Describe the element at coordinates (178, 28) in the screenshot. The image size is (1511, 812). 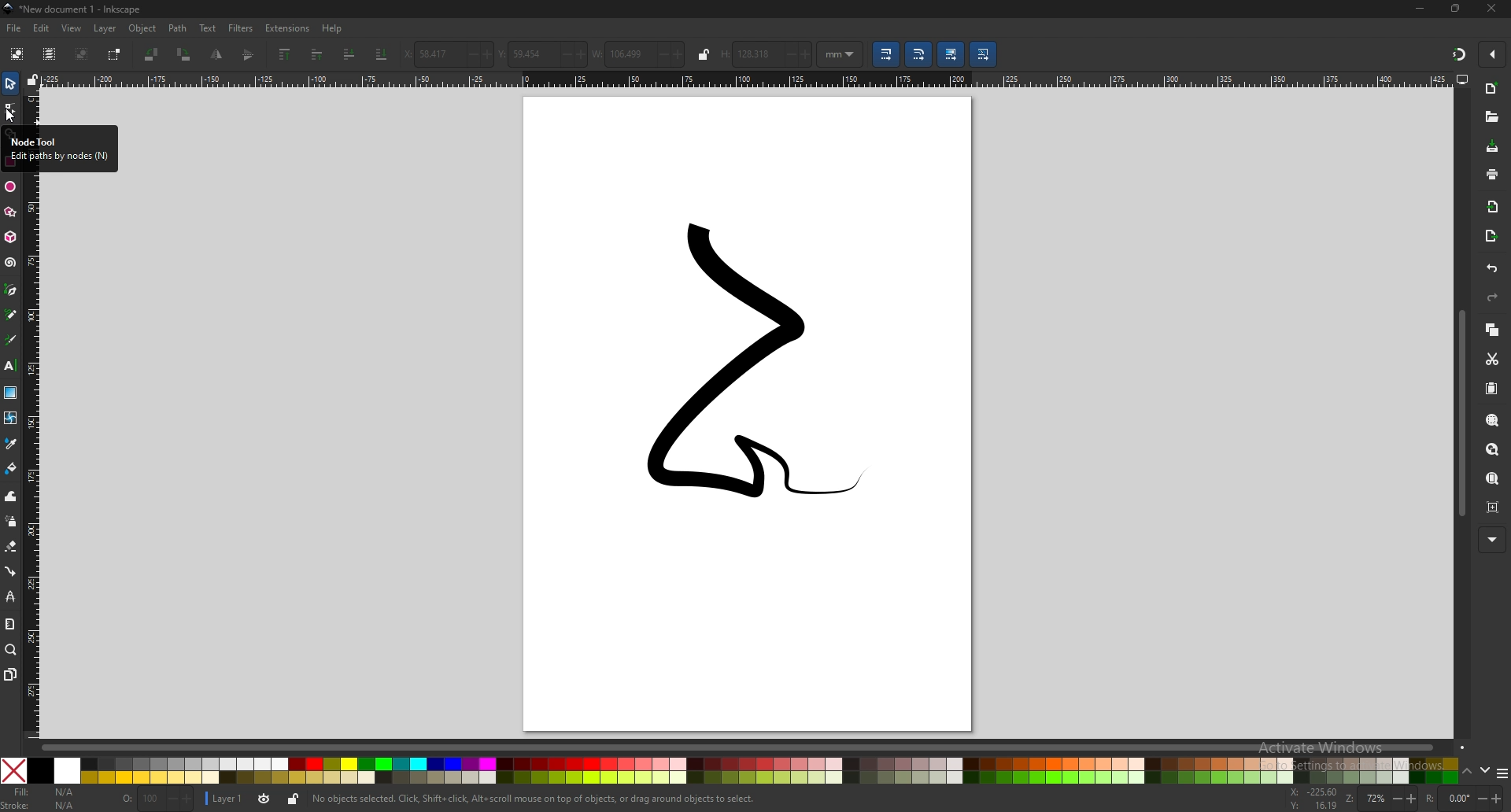
I see `path` at that location.